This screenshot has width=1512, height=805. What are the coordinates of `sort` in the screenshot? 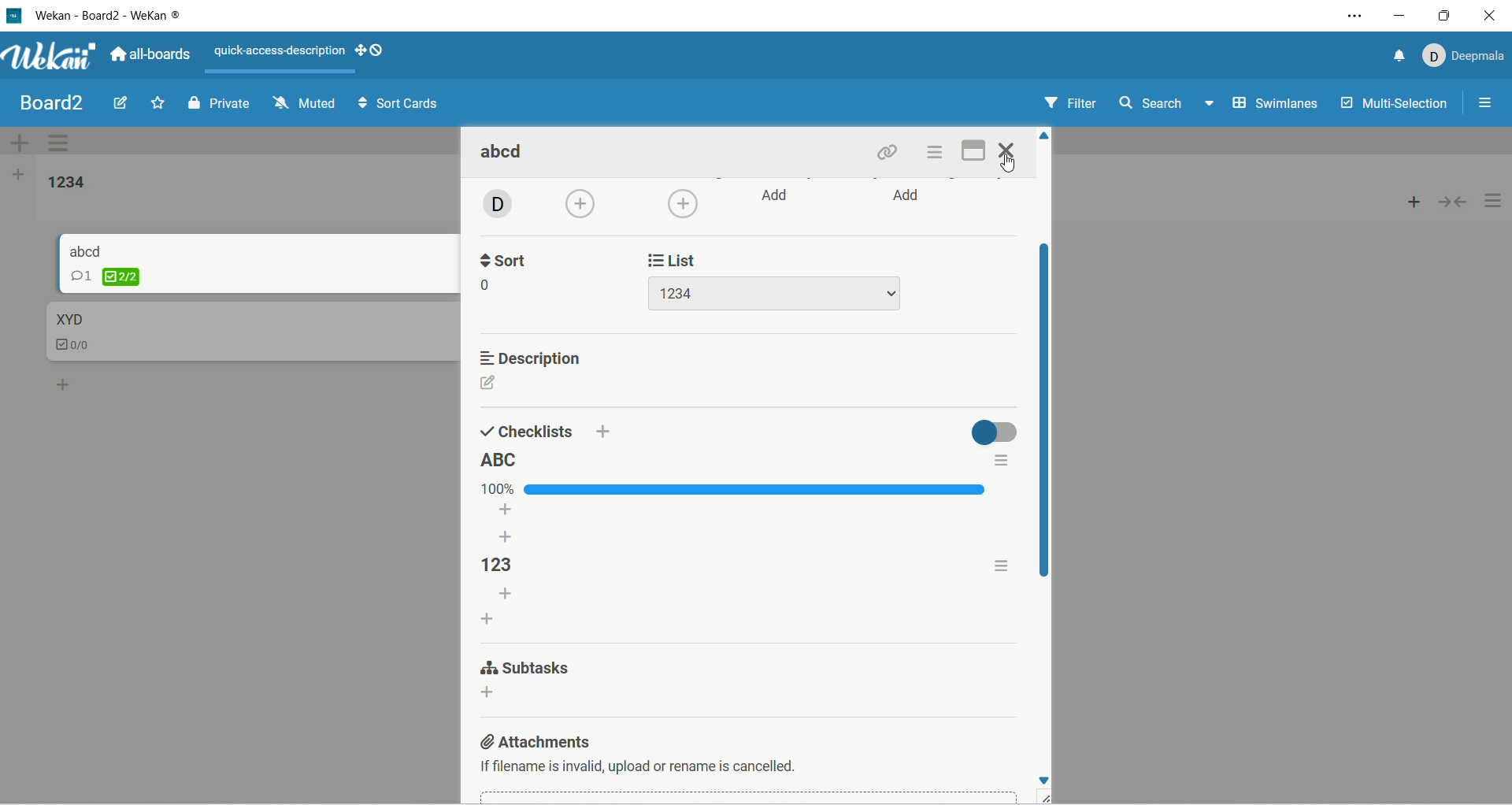 It's located at (507, 258).